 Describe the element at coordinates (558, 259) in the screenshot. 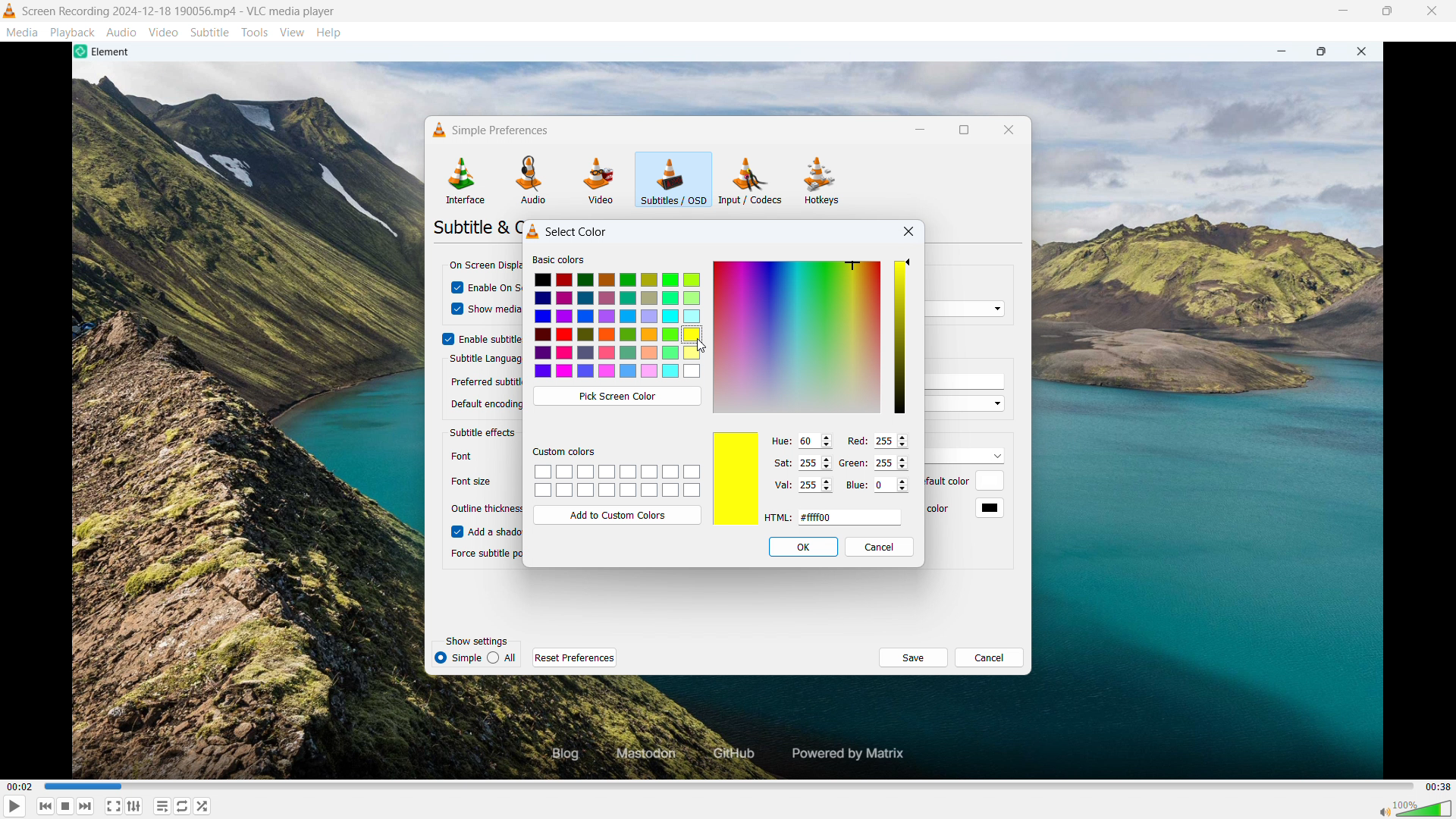

I see `Basic colour ` at that location.